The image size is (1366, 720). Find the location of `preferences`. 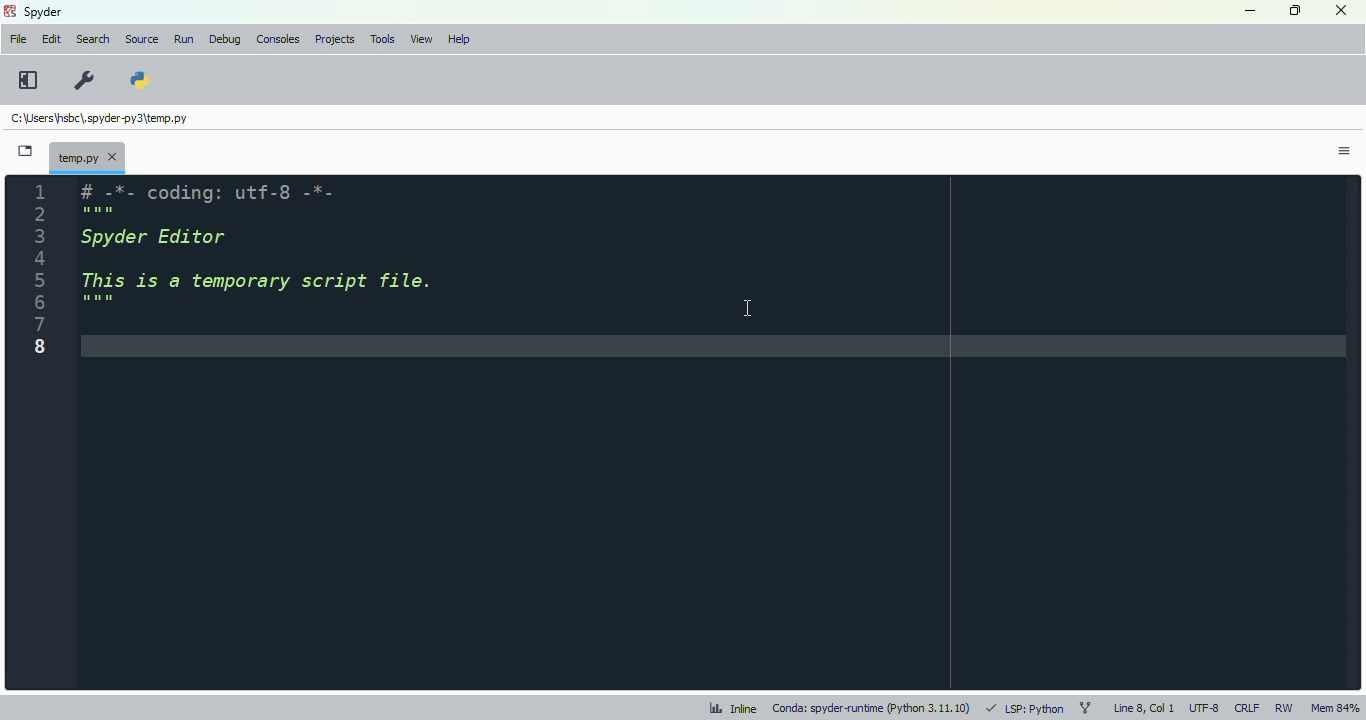

preferences is located at coordinates (83, 80).